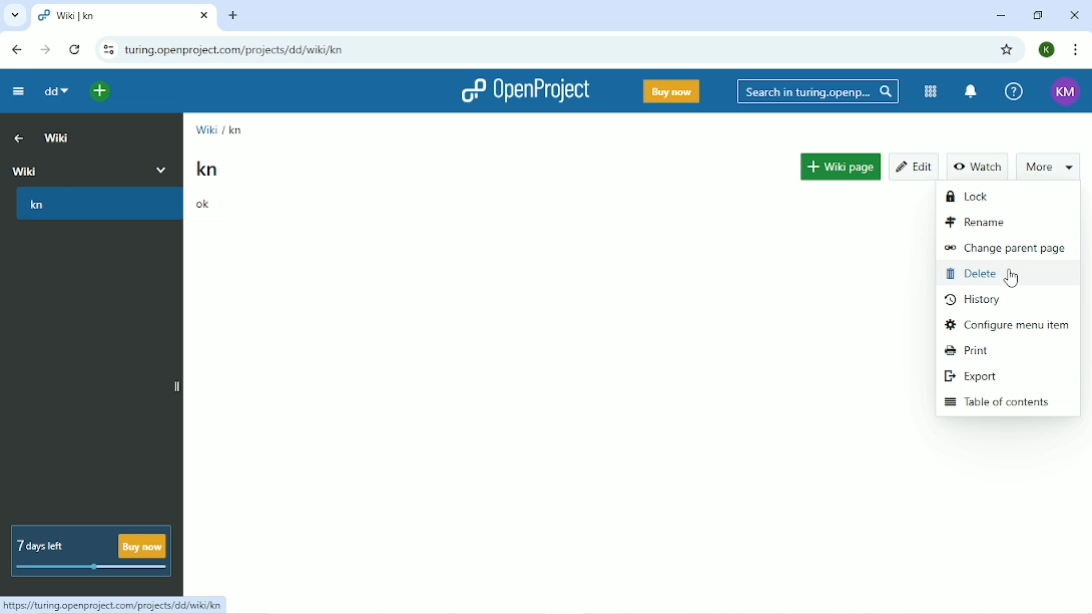 This screenshot has width=1092, height=614. I want to click on Account, so click(1065, 91).